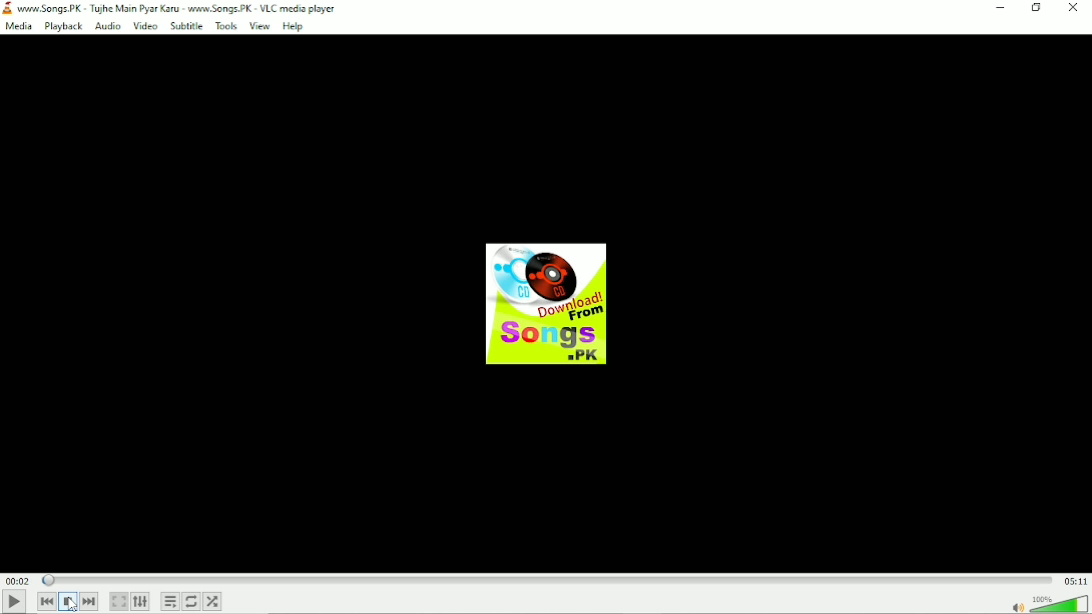 The width and height of the screenshot is (1092, 614). Describe the element at coordinates (141, 601) in the screenshot. I see `Show extended settings` at that location.